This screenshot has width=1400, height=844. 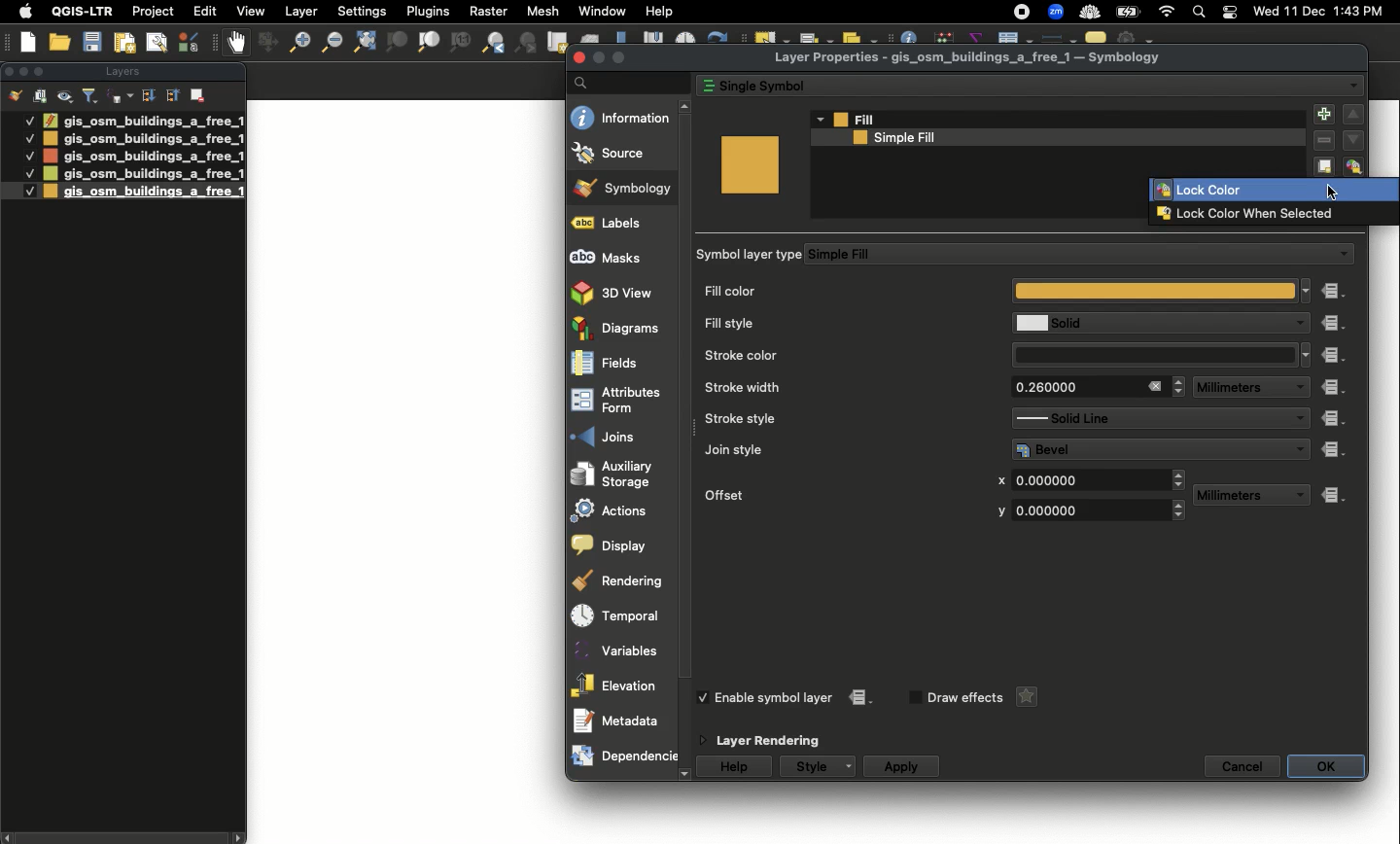 What do you see at coordinates (810, 766) in the screenshot?
I see `Style` at bounding box center [810, 766].